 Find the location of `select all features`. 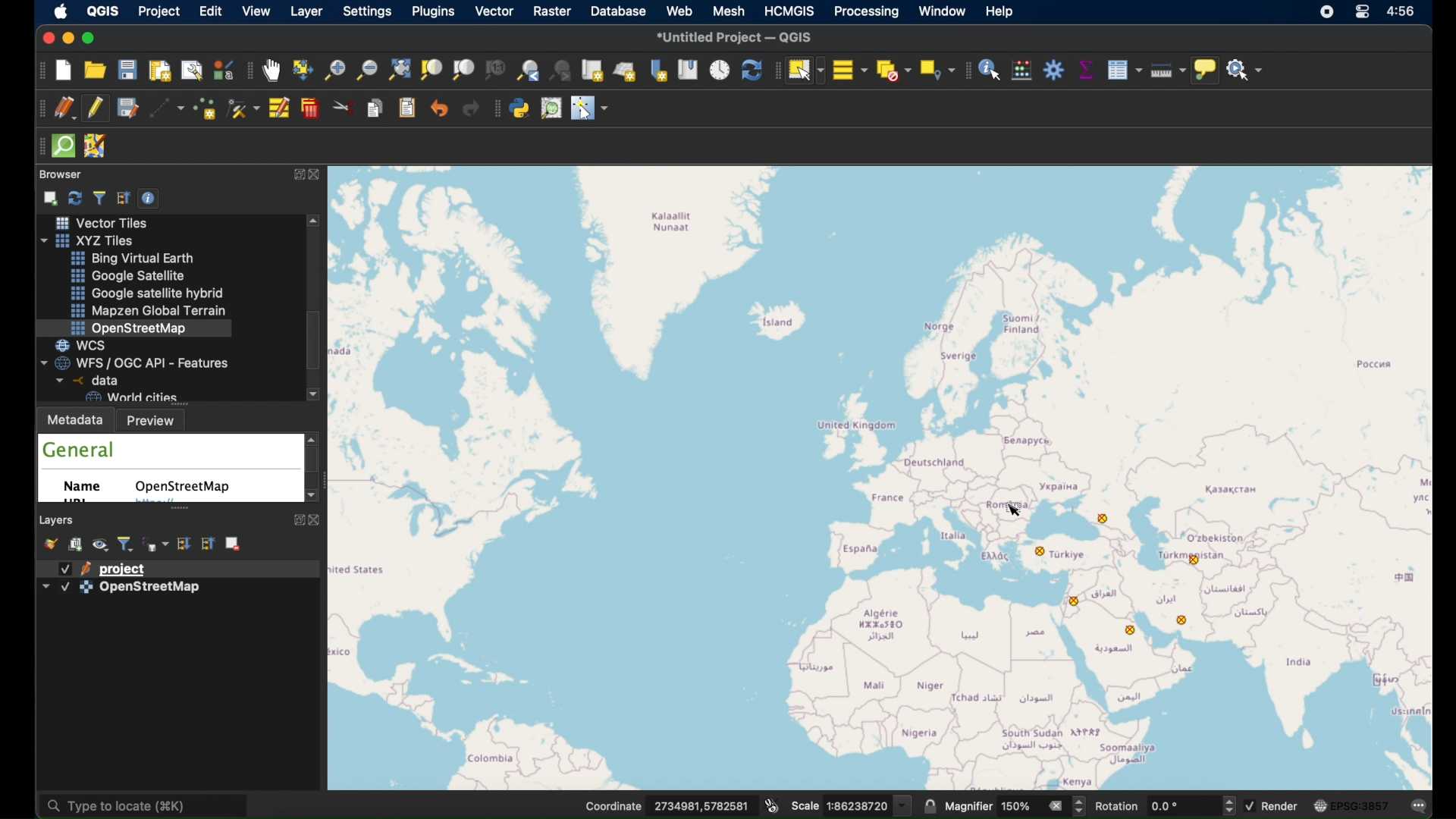

select all features is located at coordinates (850, 69).